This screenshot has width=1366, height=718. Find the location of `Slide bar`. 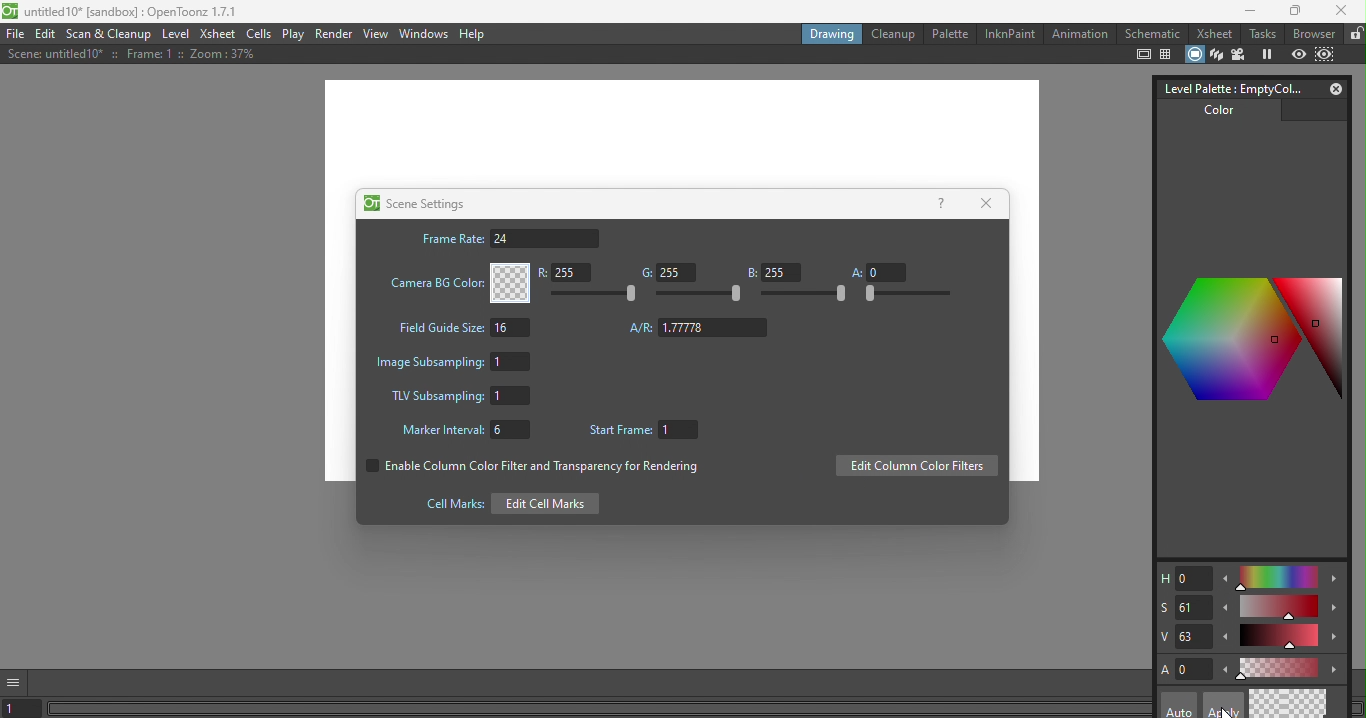

Slide bar is located at coordinates (700, 295).